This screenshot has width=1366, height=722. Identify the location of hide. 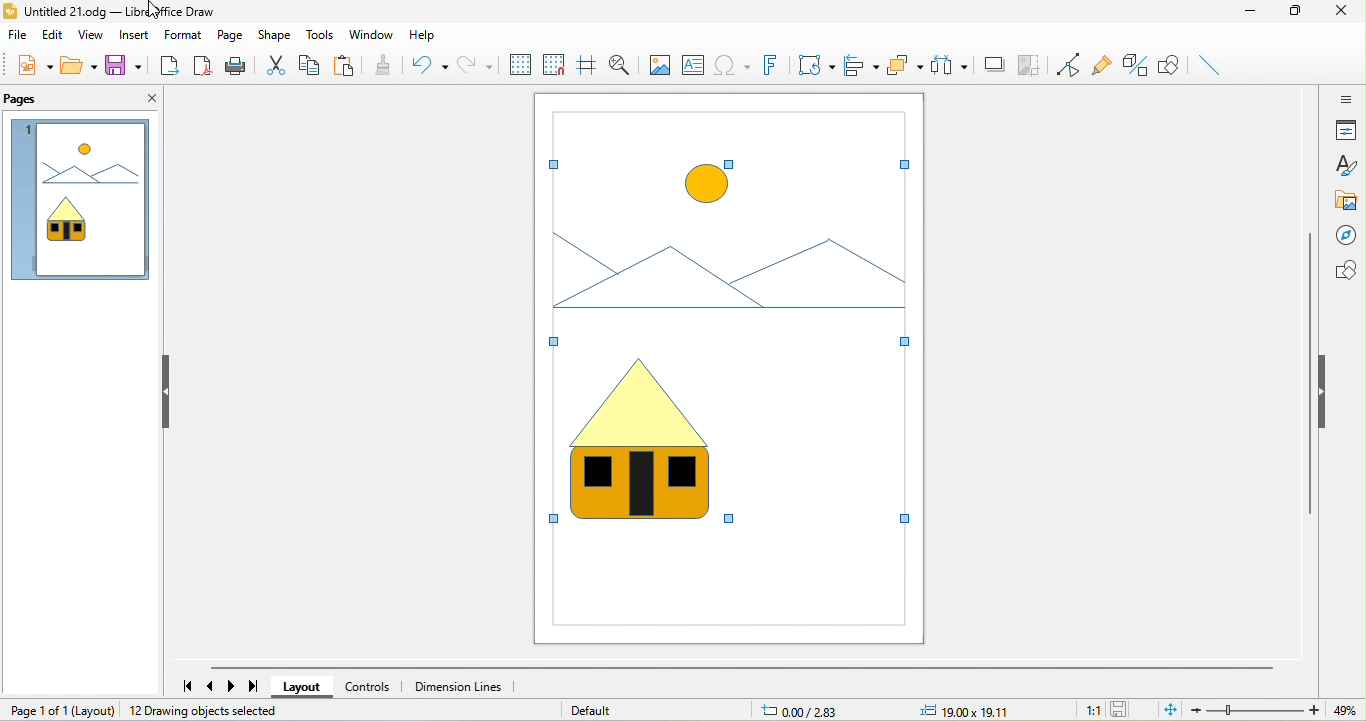
(1327, 395).